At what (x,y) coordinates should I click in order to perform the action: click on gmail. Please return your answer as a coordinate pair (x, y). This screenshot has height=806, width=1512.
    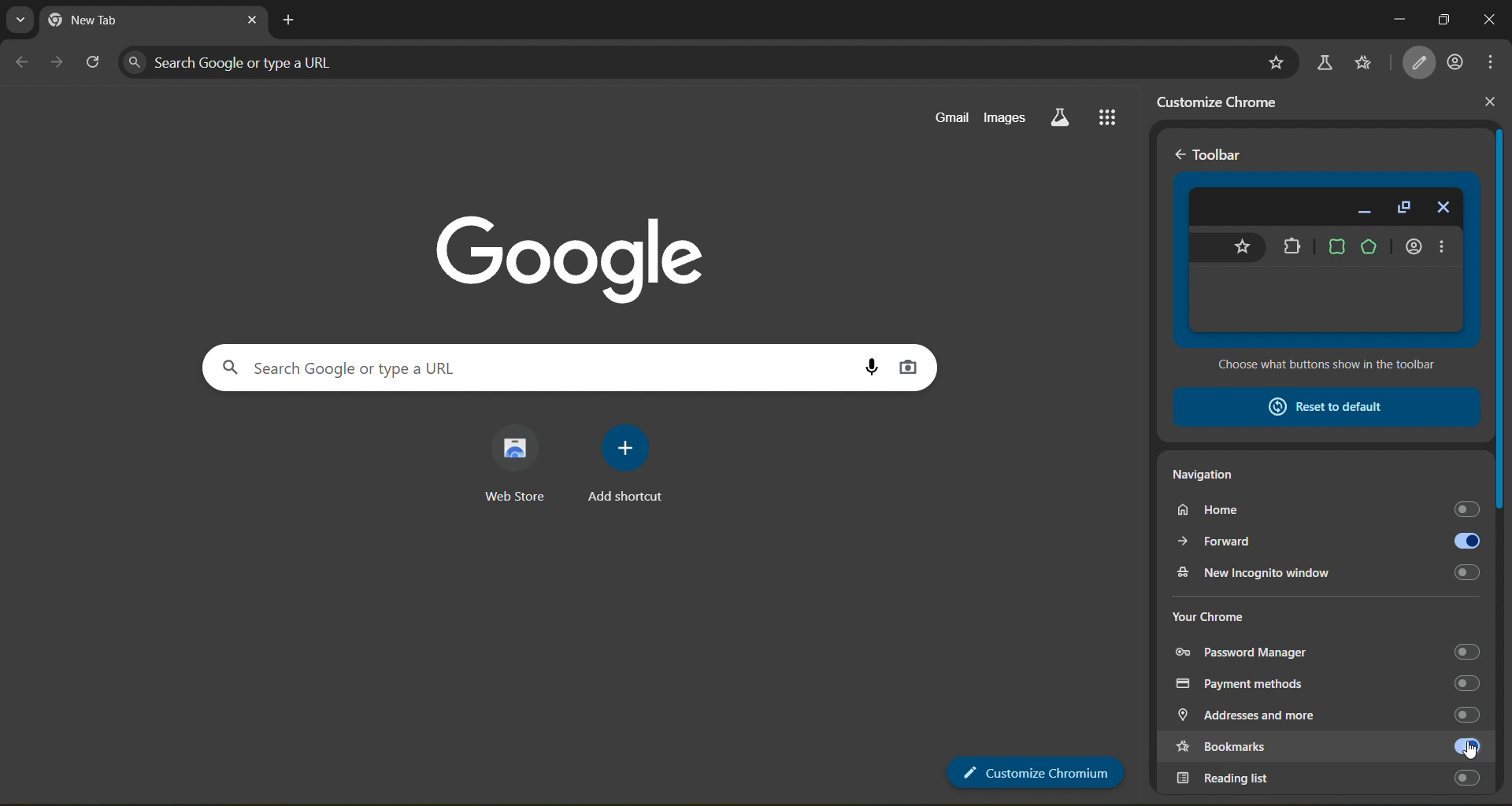
    Looking at the image, I should click on (951, 118).